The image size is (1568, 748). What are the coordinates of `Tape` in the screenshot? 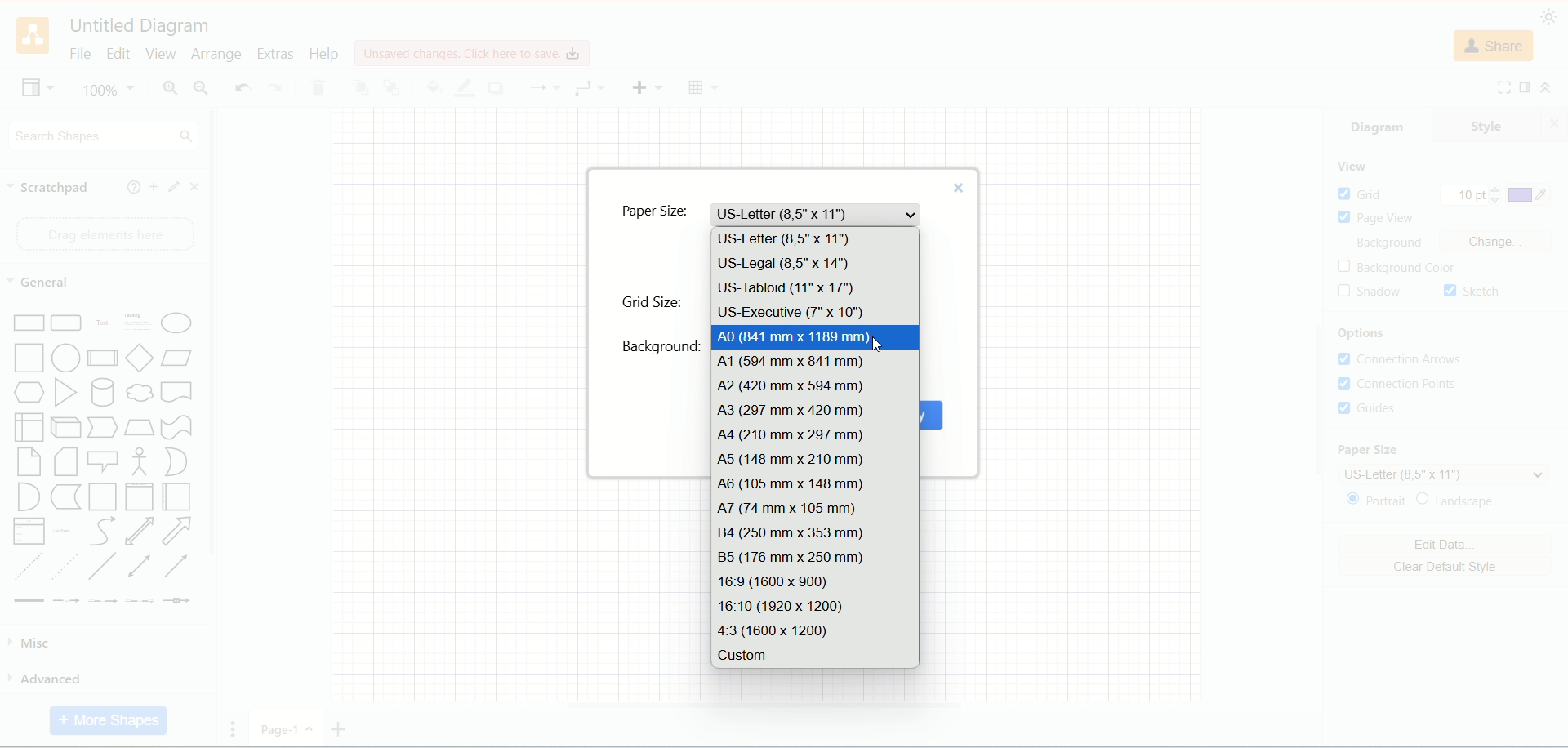 It's located at (176, 428).